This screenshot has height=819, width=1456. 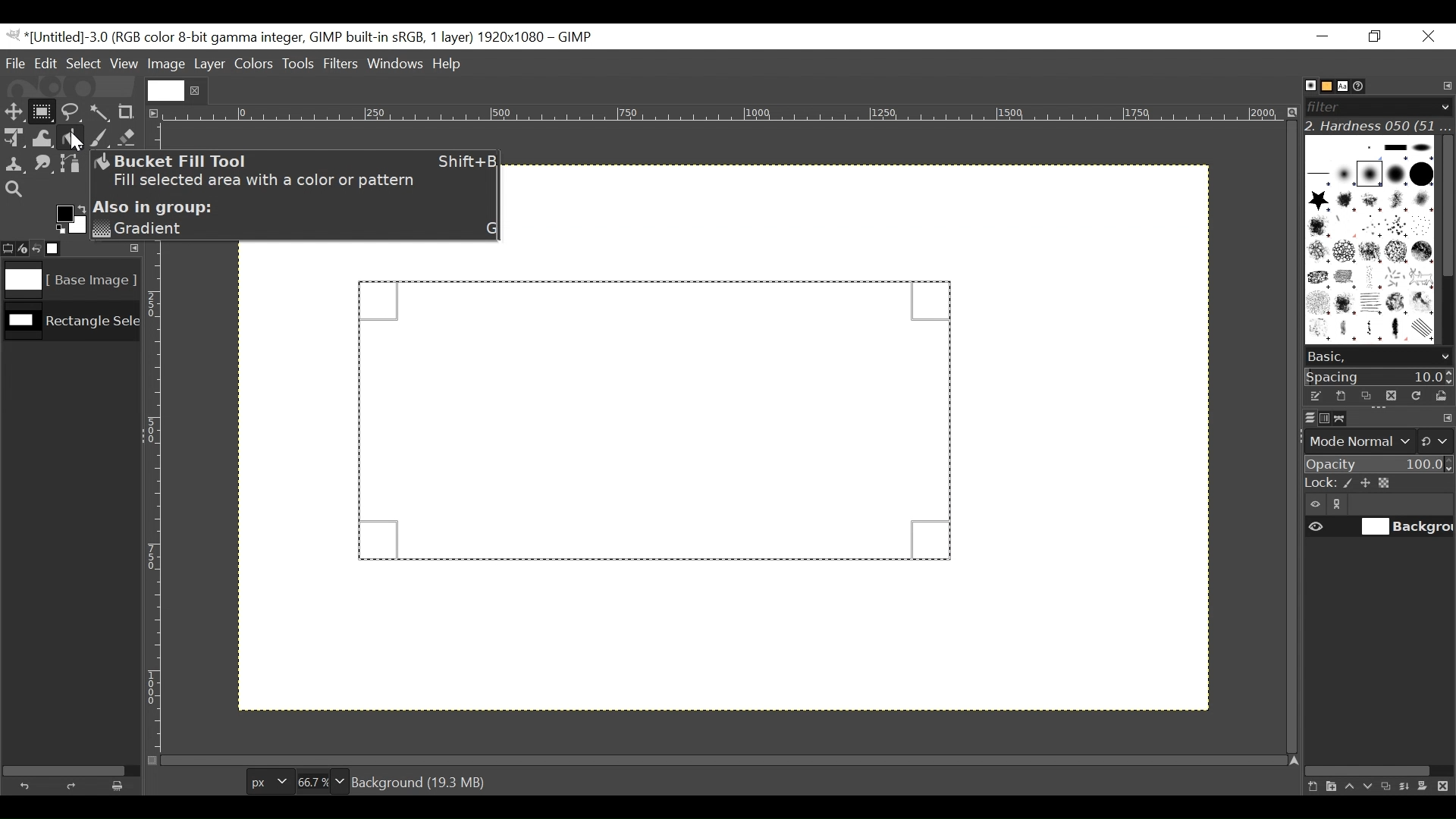 I want to click on Create a new brush , so click(x=1340, y=396).